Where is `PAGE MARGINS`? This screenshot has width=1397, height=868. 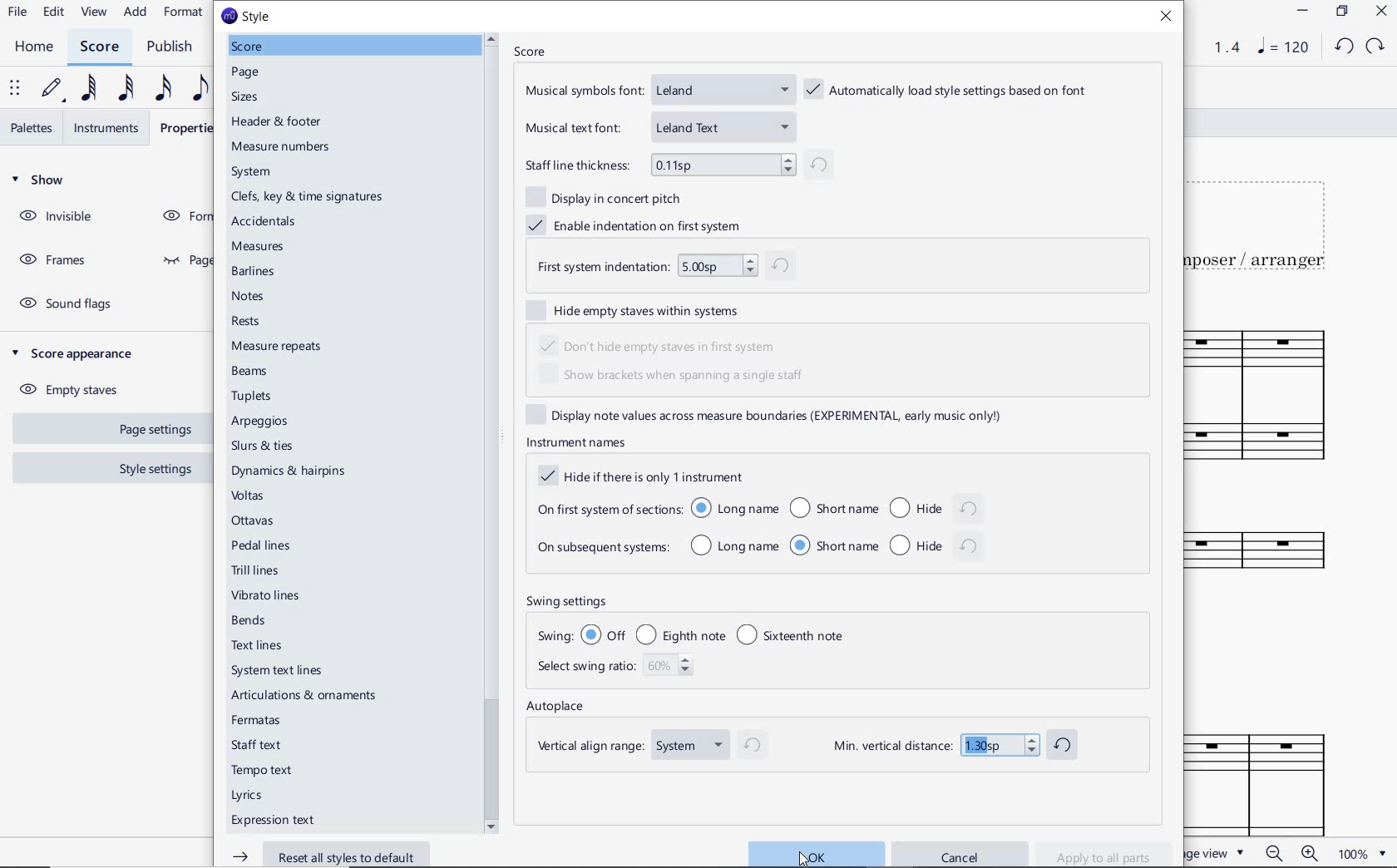 PAGE MARGINS is located at coordinates (182, 261).